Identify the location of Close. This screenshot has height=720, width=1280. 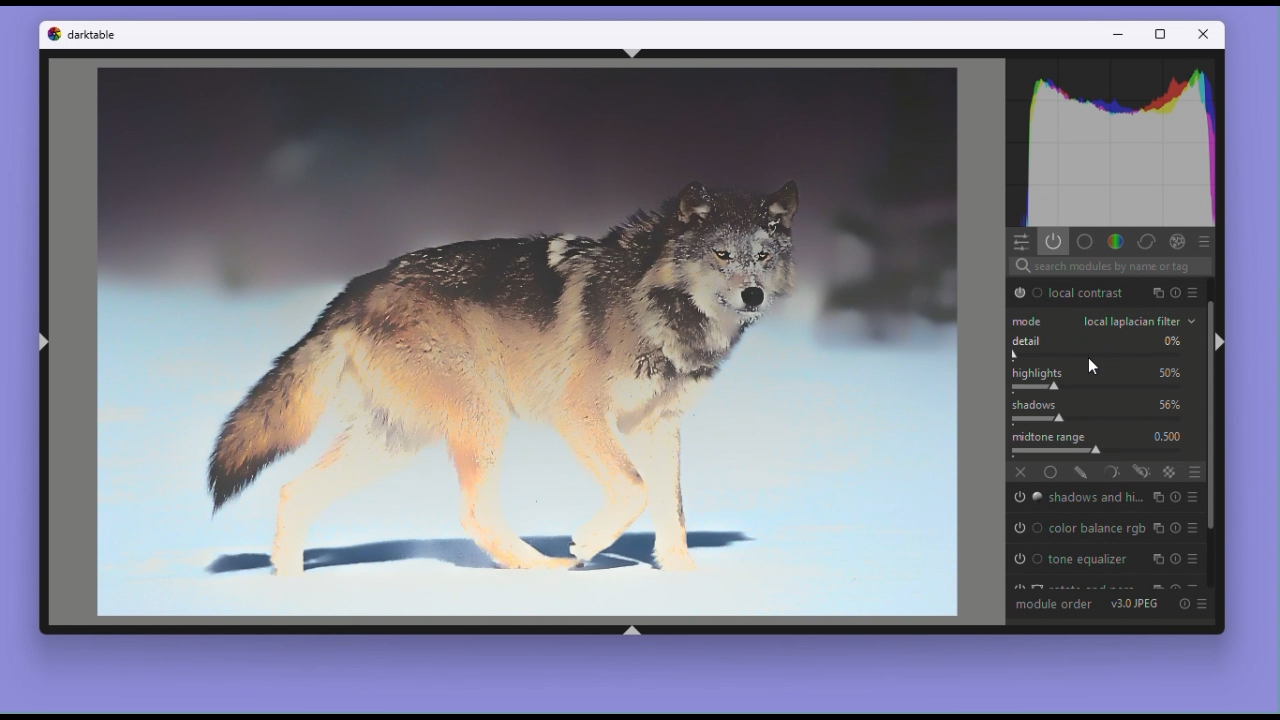
(1204, 35).